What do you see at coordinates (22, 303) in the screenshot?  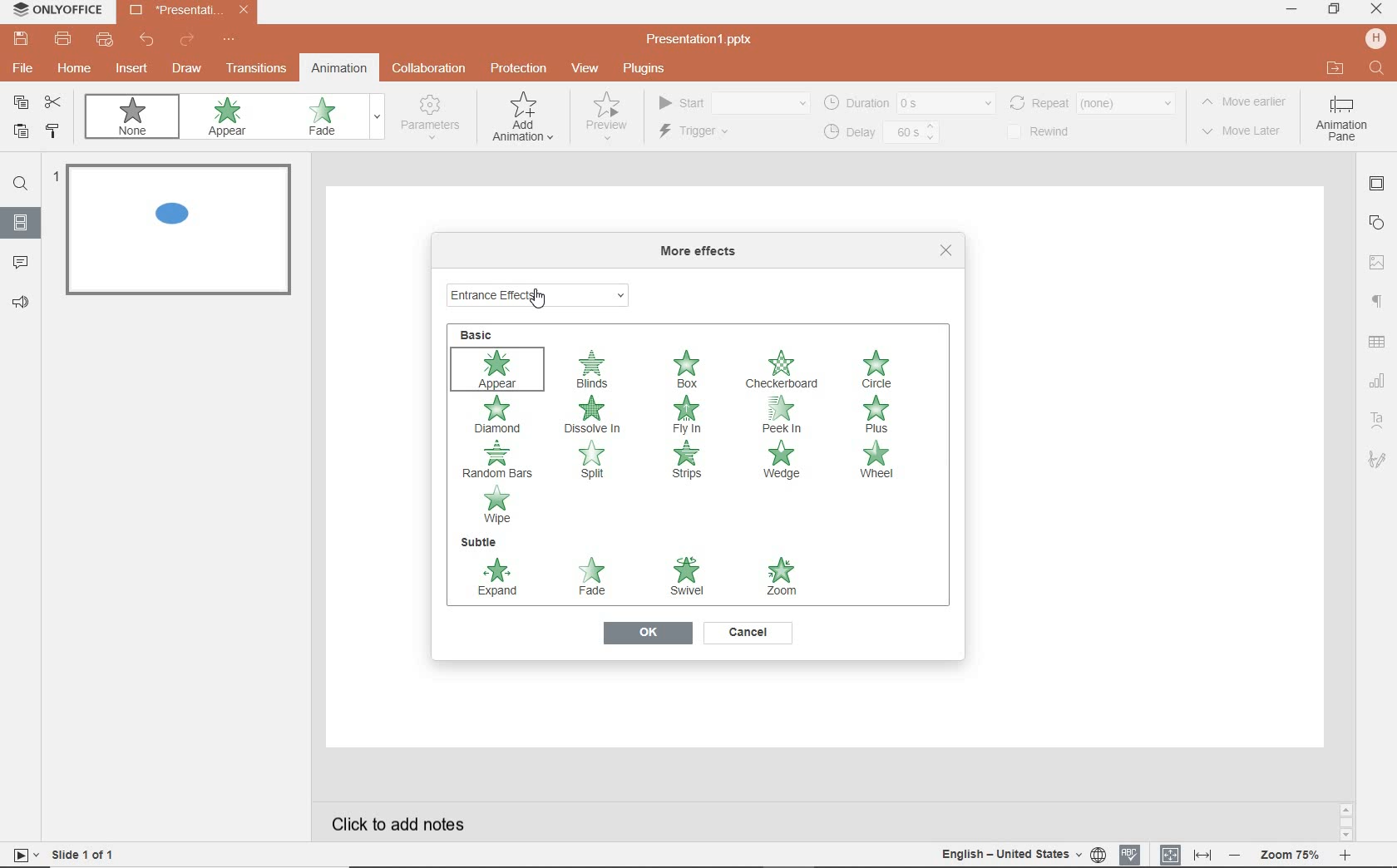 I see `feedback & support` at bounding box center [22, 303].